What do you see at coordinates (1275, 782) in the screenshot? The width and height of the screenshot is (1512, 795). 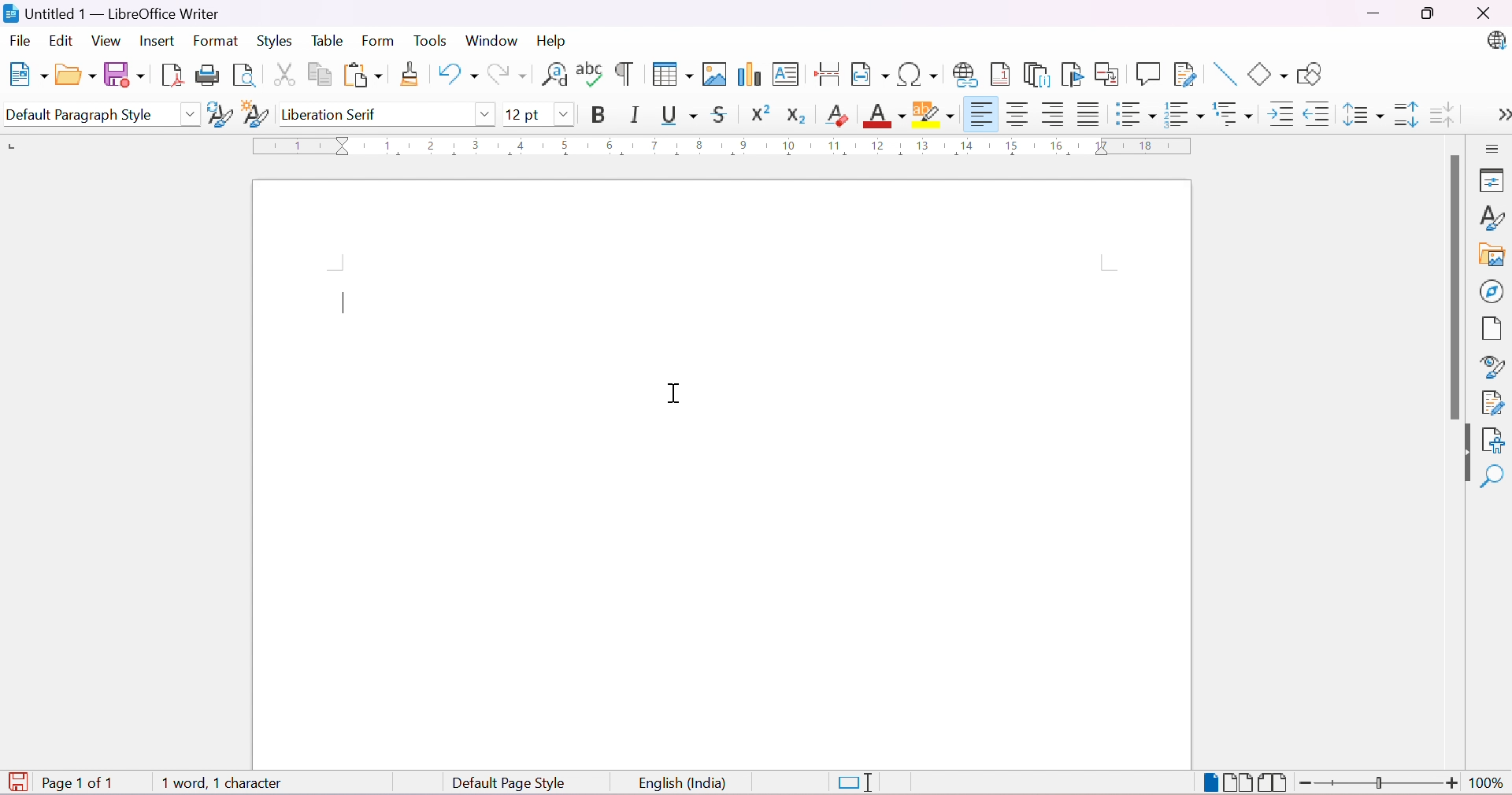 I see `Book View` at bounding box center [1275, 782].